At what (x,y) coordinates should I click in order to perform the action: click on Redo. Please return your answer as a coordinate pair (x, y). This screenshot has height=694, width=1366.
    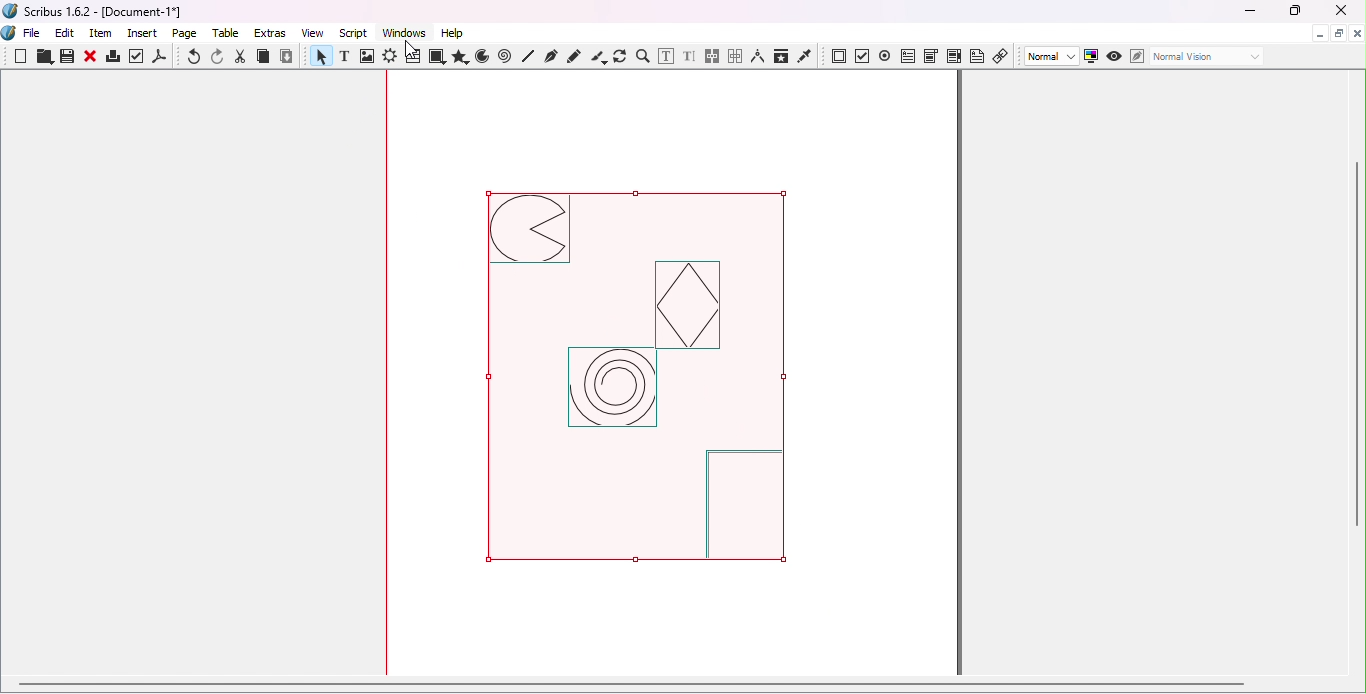
    Looking at the image, I should click on (219, 57).